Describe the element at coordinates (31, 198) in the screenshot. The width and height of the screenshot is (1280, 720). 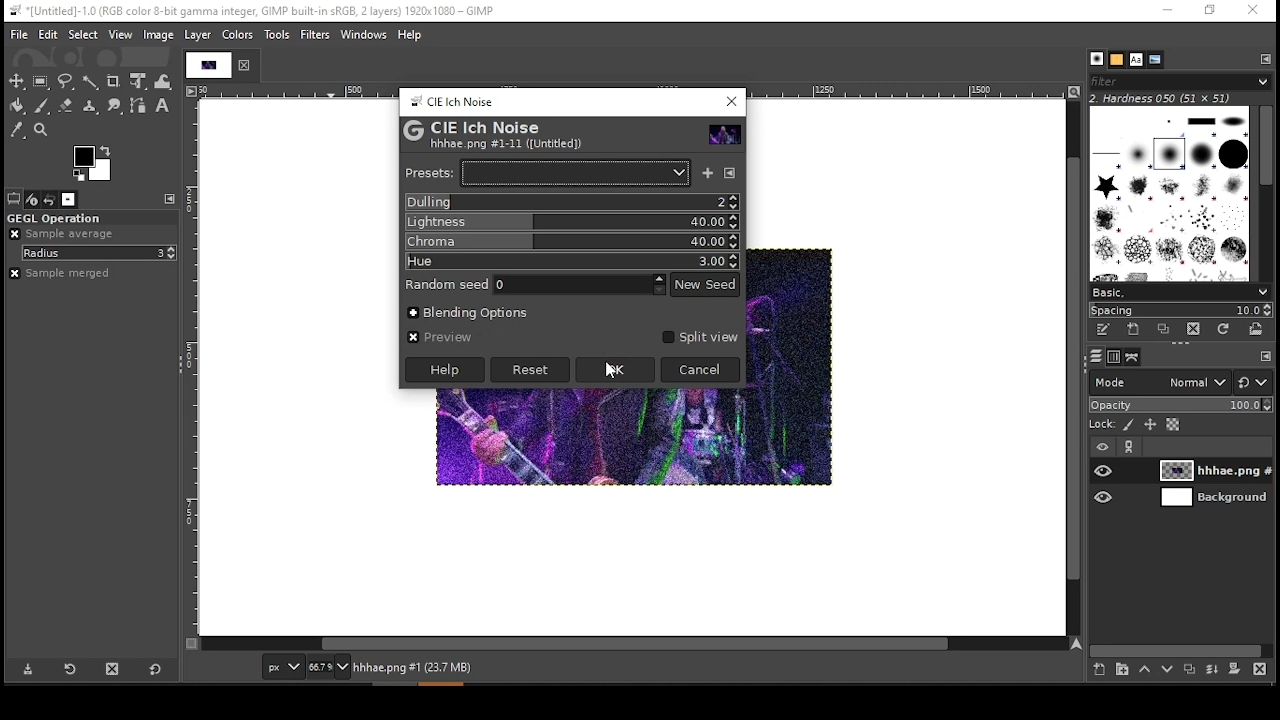
I see `device status` at that location.